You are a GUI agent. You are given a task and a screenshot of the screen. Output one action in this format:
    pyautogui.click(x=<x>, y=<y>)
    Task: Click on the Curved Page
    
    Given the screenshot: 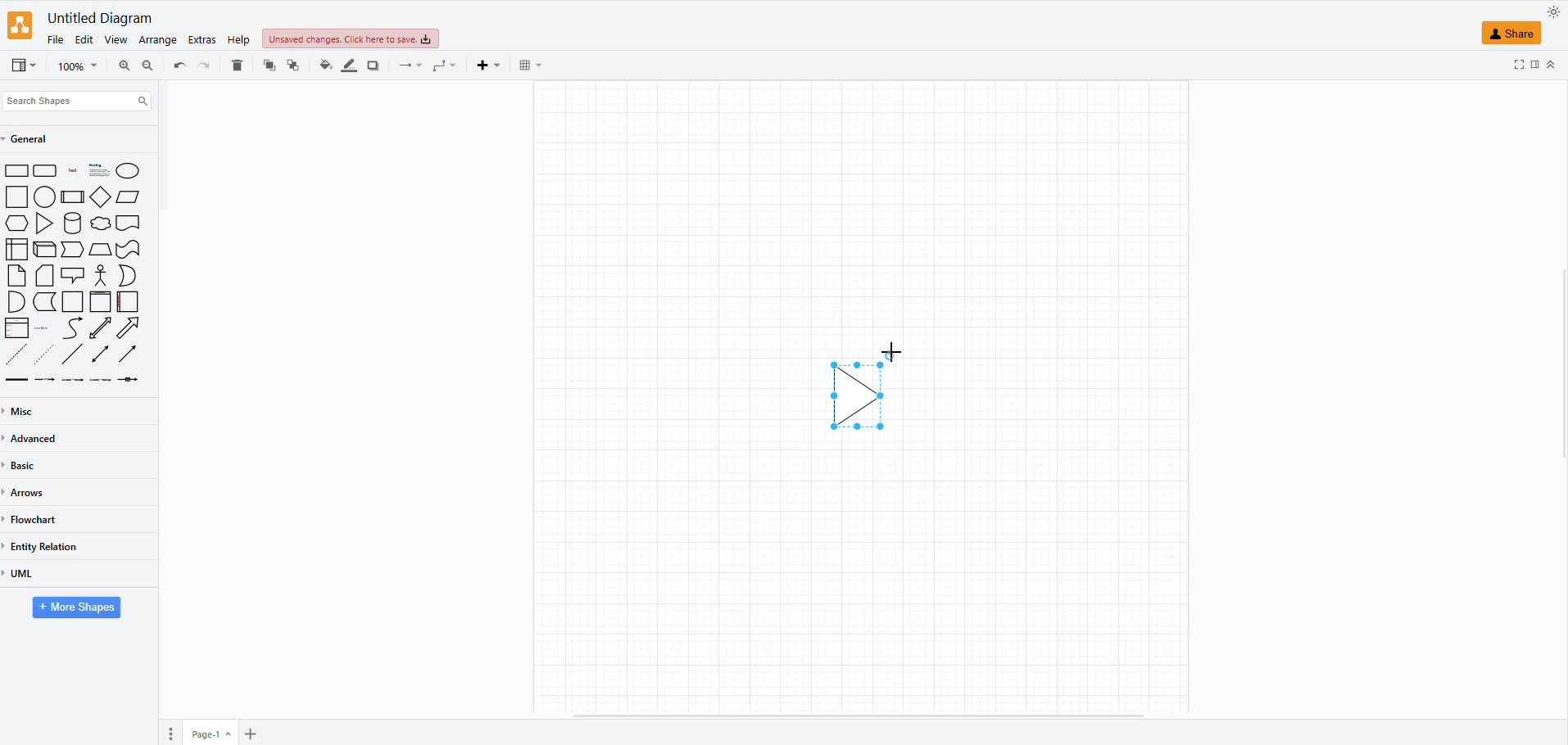 What is the action you would take?
    pyautogui.click(x=45, y=302)
    